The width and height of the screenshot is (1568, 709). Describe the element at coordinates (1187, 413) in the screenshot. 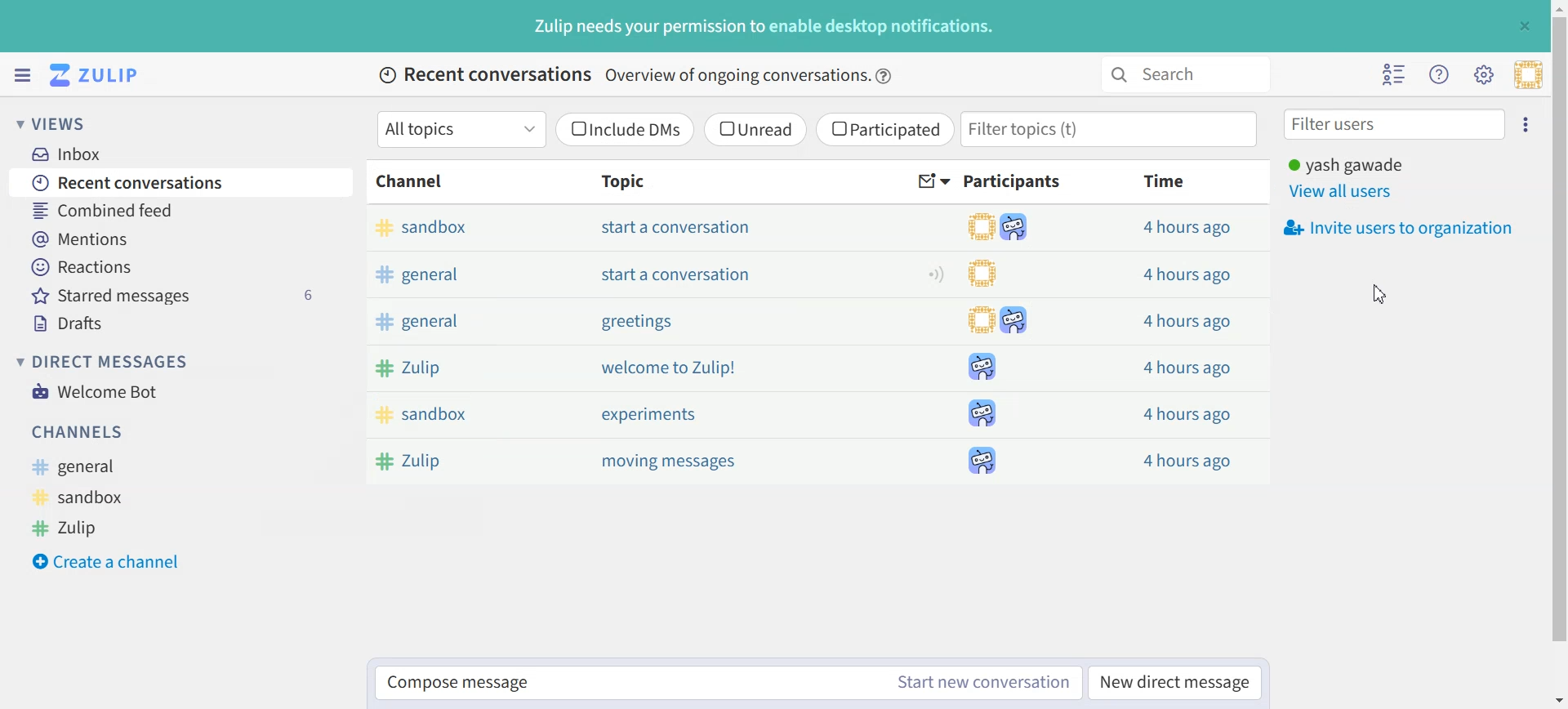

I see `4 hours ago` at that location.